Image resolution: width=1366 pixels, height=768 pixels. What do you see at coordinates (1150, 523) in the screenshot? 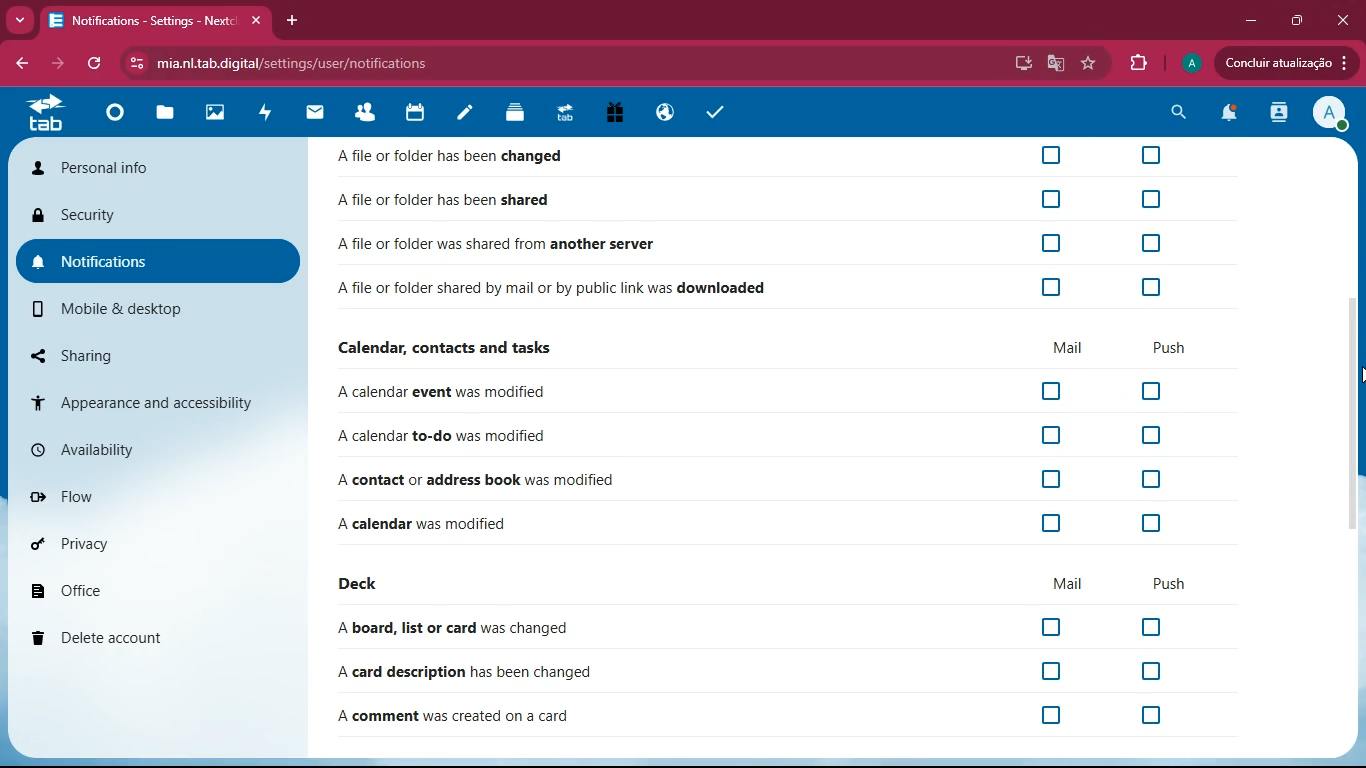
I see `off` at bounding box center [1150, 523].